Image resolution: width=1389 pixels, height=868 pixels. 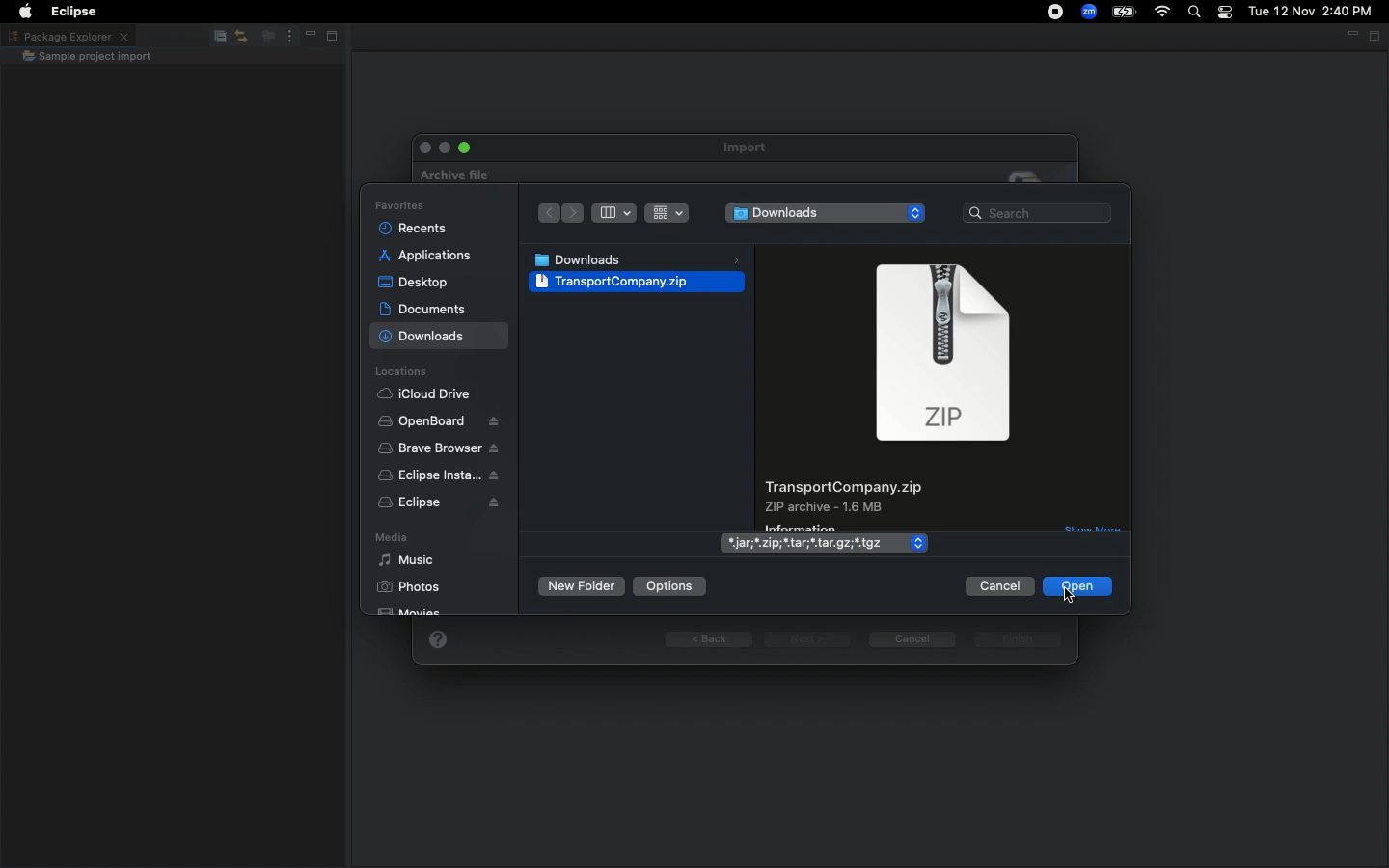 I want to click on Eclipse, so click(x=76, y=12).